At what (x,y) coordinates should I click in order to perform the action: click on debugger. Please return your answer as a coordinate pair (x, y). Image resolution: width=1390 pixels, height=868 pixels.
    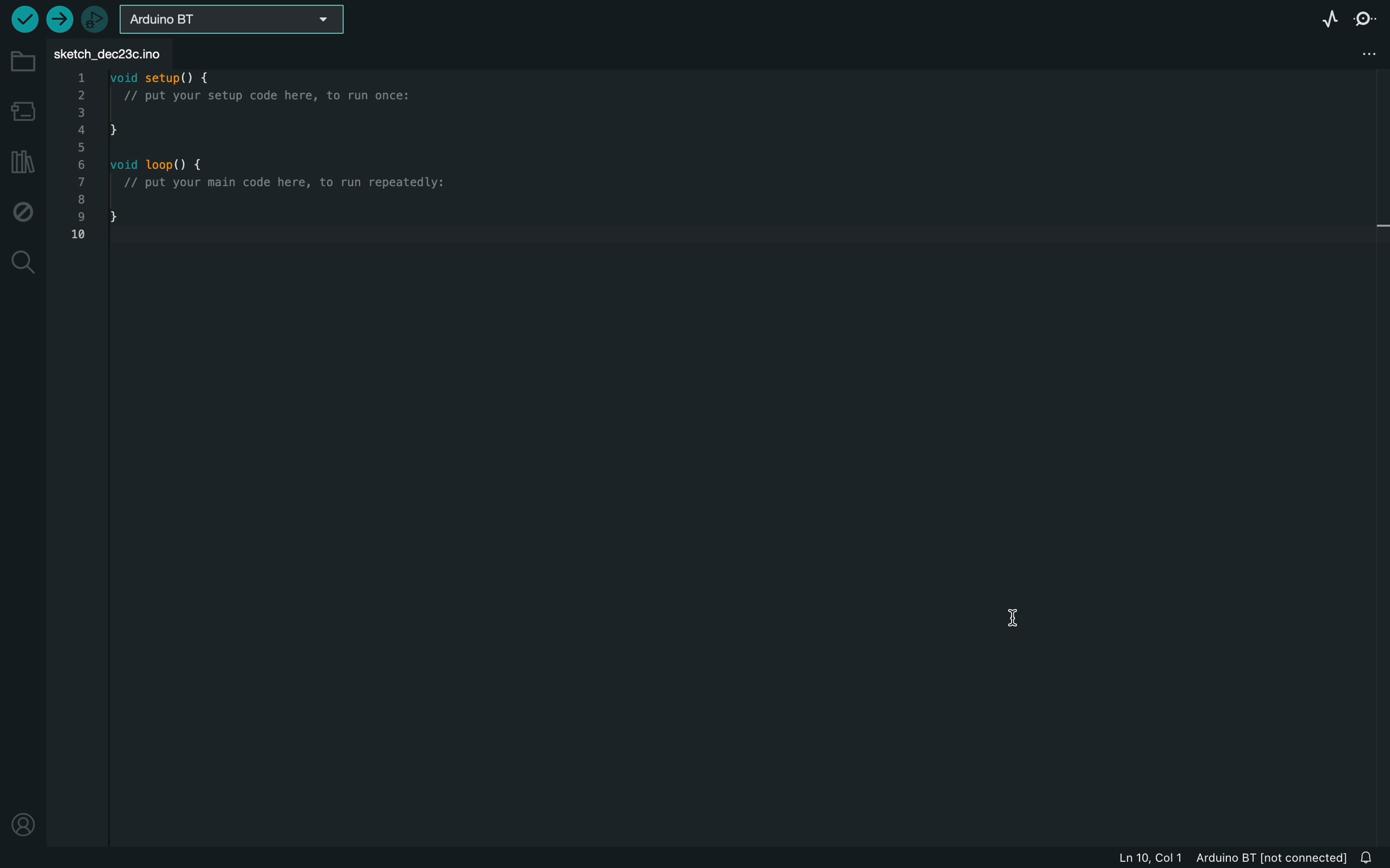
    Looking at the image, I should click on (96, 20).